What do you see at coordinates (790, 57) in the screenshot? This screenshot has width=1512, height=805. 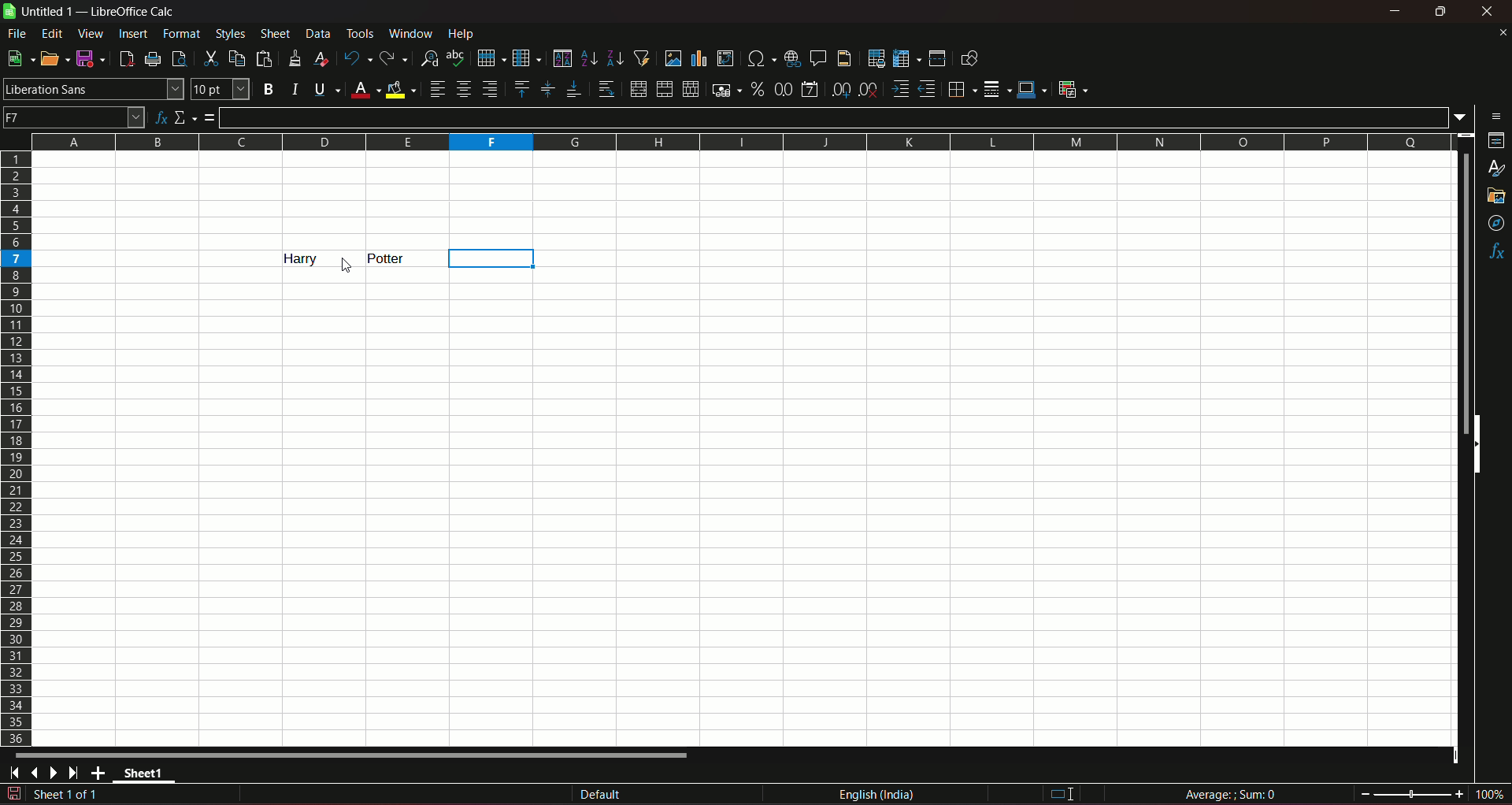 I see `insert hyperlink` at bounding box center [790, 57].